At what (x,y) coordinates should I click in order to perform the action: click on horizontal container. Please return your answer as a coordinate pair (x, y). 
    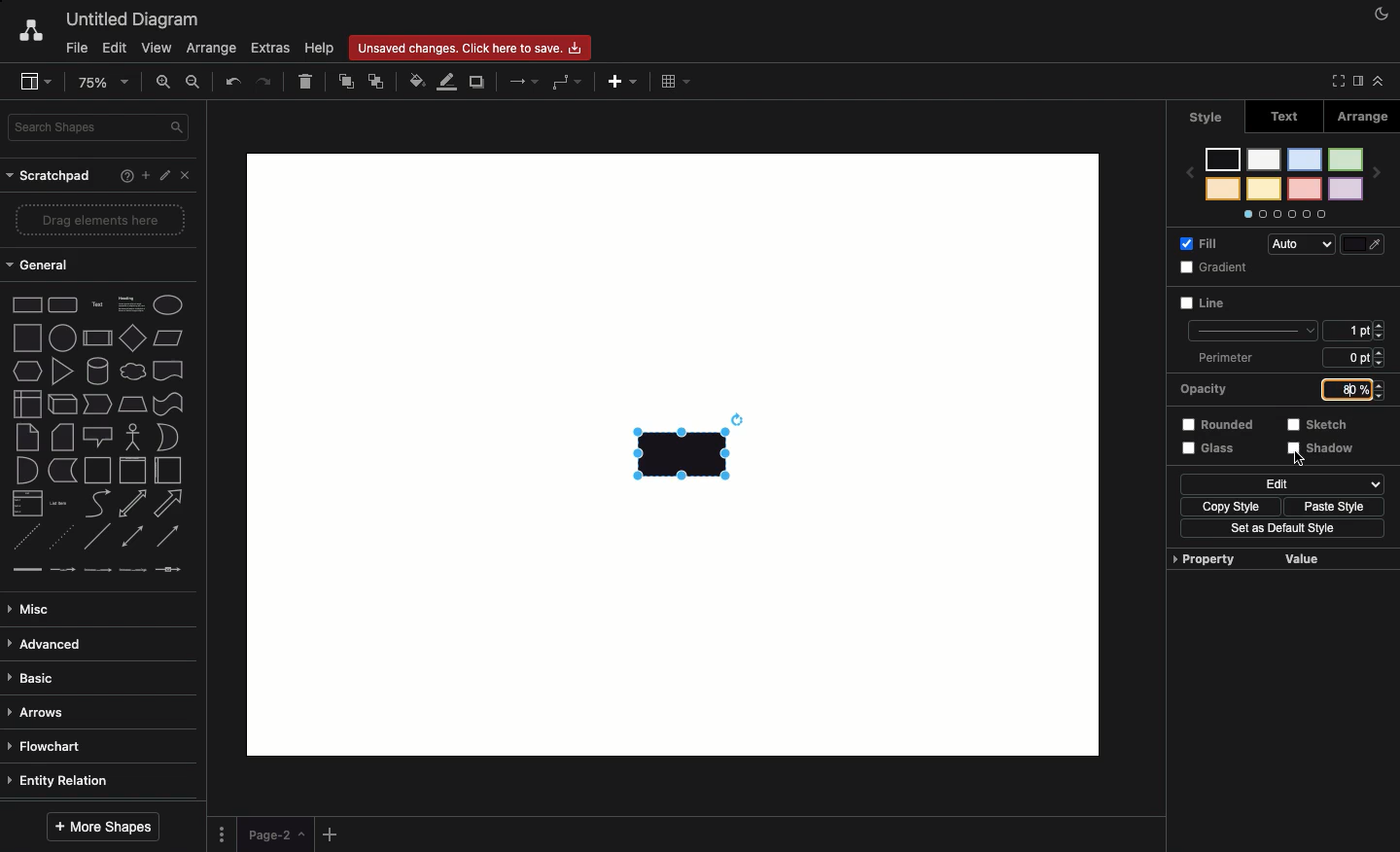
    Looking at the image, I should click on (172, 471).